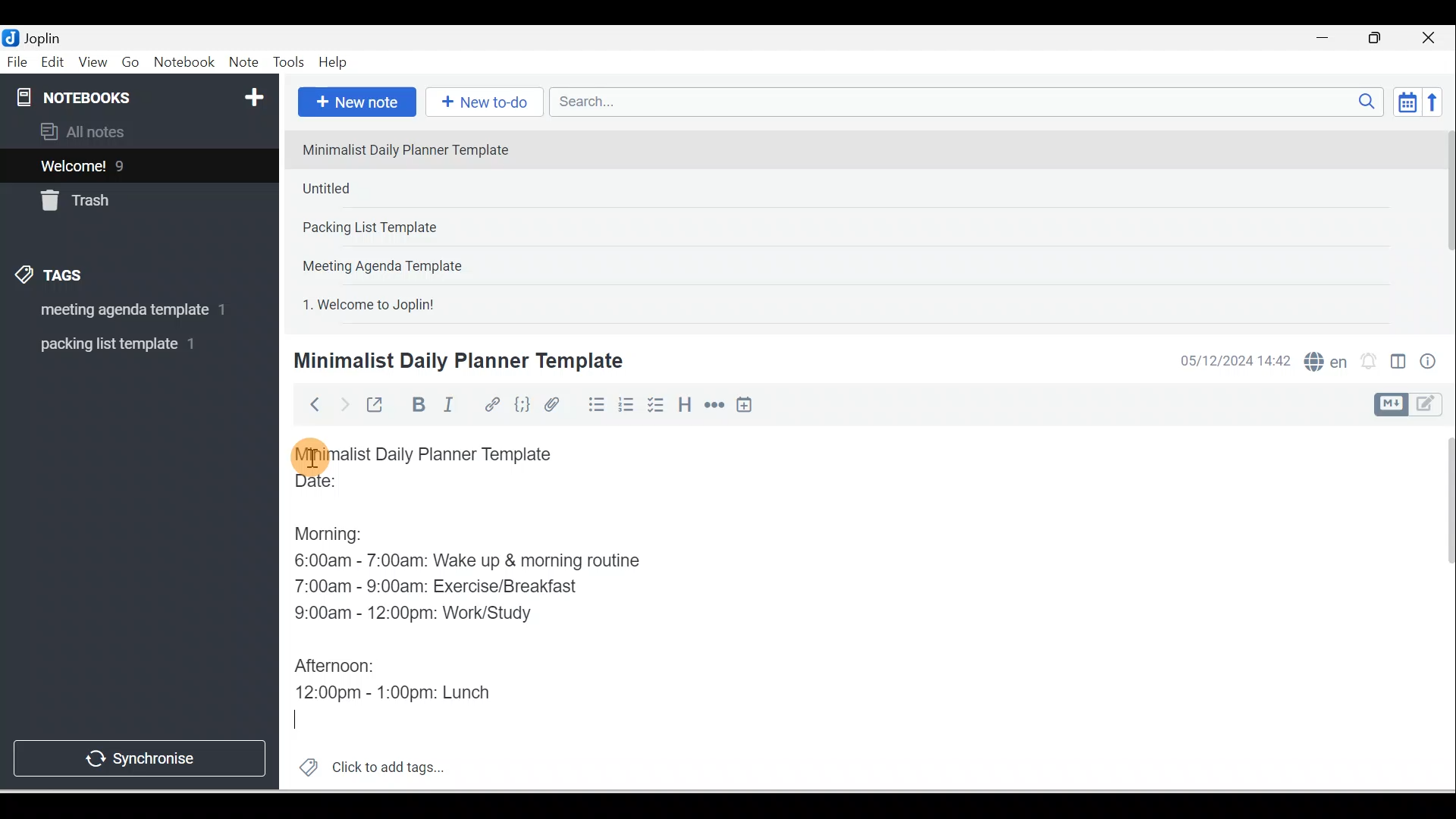  I want to click on Insert time, so click(744, 406).